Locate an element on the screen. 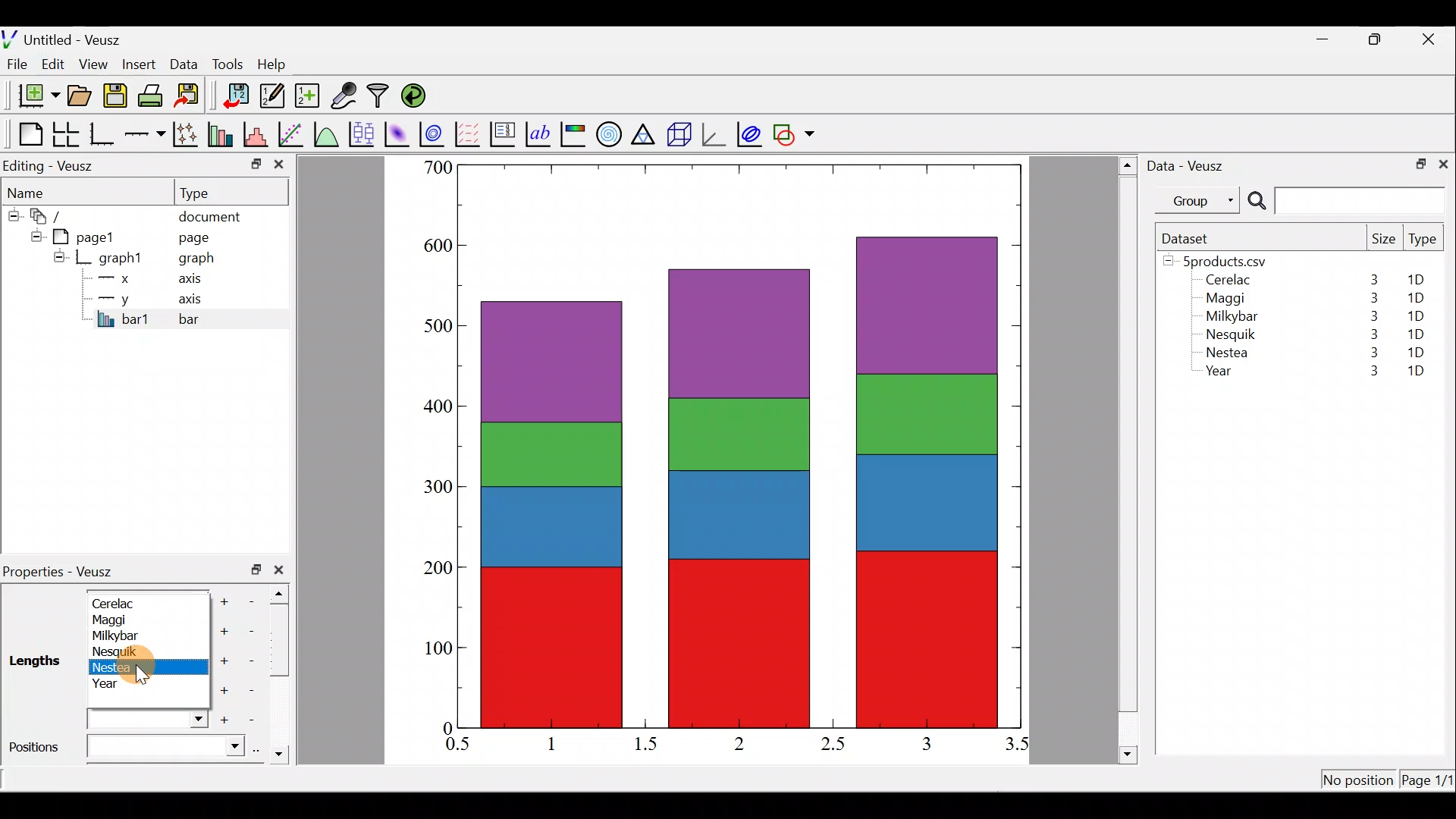 The height and width of the screenshot is (819, 1456). Nesquik is located at coordinates (1228, 334).